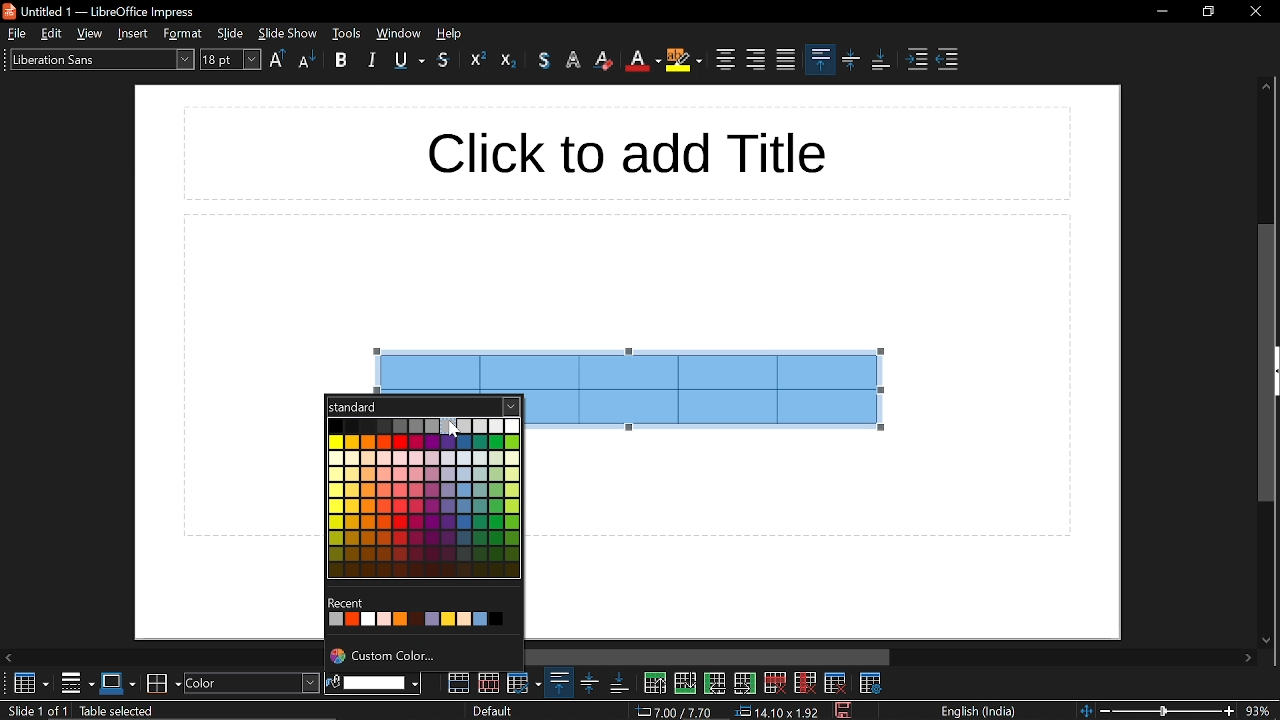 This screenshot has height=720, width=1280. Describe the element at coordinates (423, 406) in the screenshot. I see `Color type` at that location.